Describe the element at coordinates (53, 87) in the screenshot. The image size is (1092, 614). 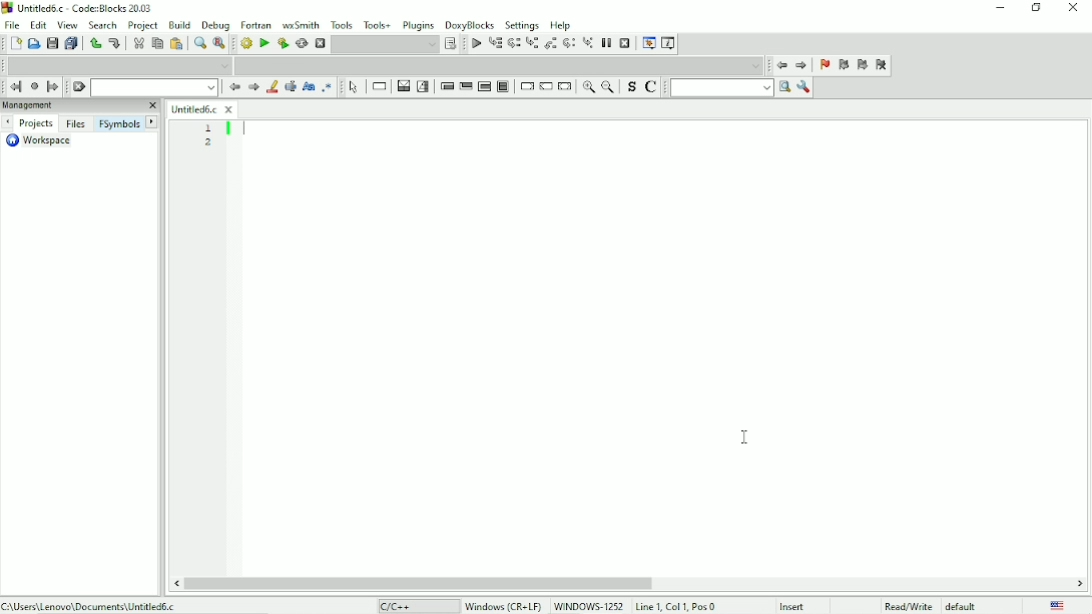
I see `Jump forward` at that location.